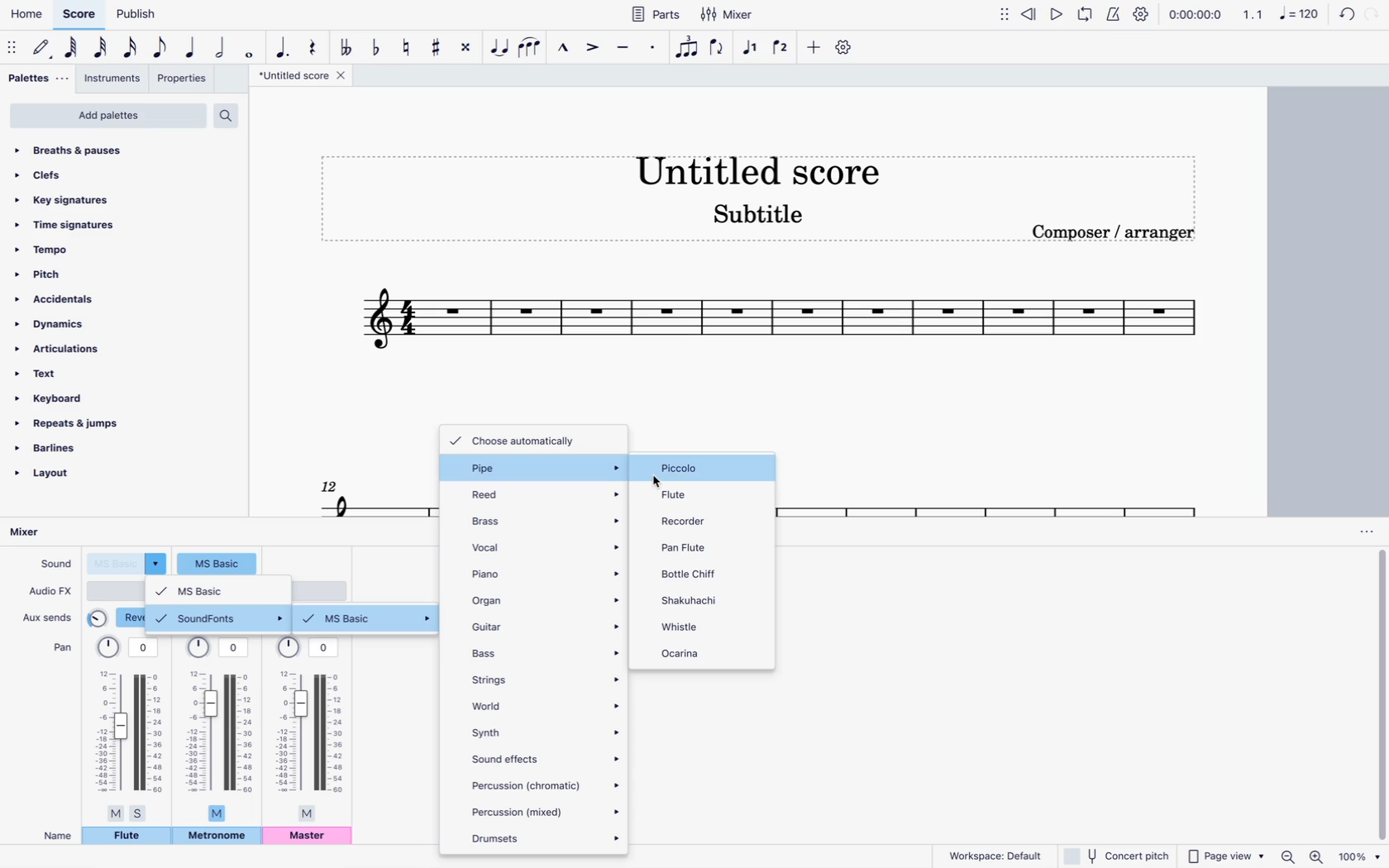 The width and height of the screenshot is (1389, 868). What do you see at coordinates (63, 479) in the screenshot?
I see `layout` at bounding box center [63, 479].